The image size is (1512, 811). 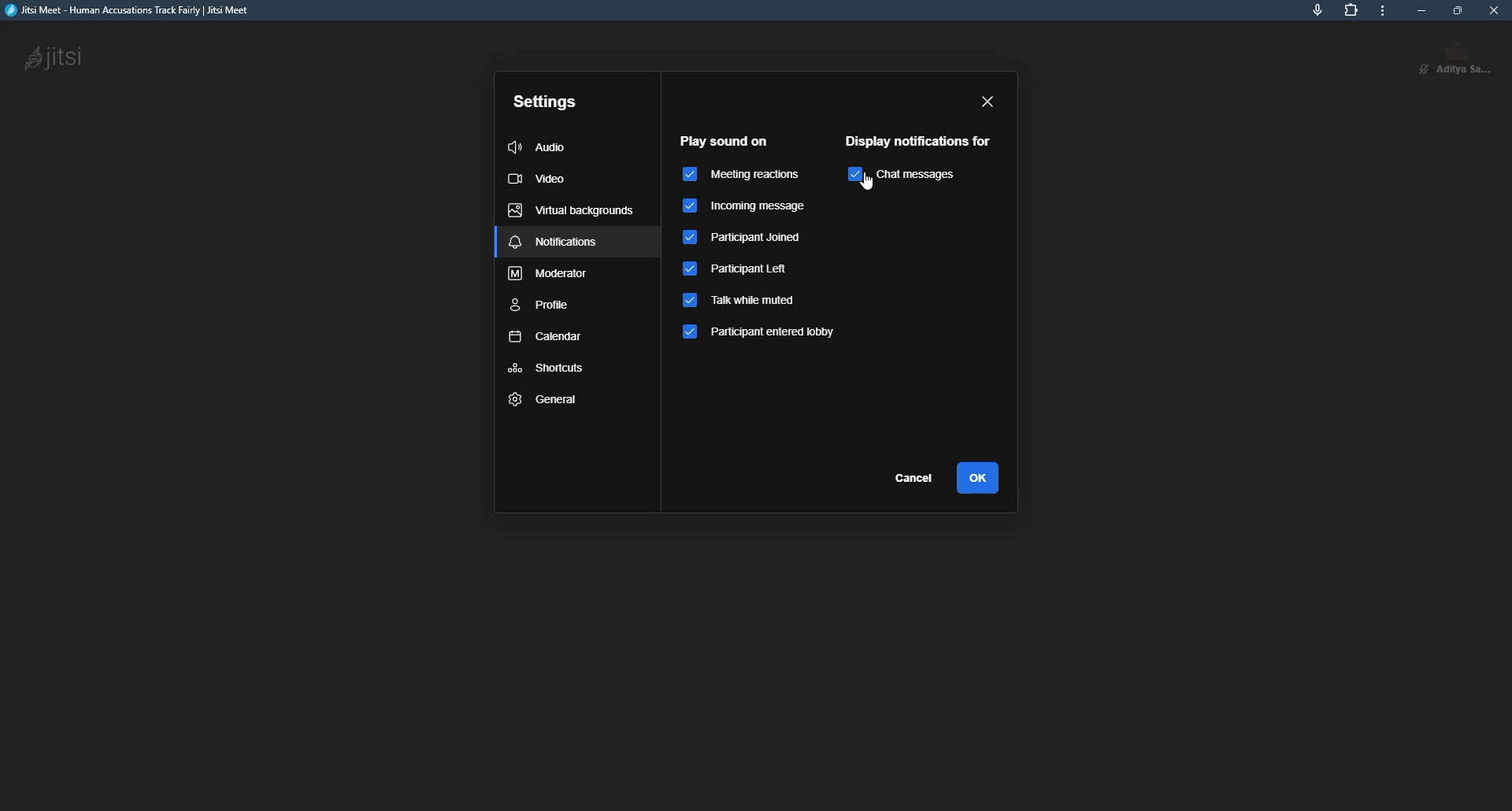 What do you see at coordinates (989, 102) in the screenshot?
I see `close` at bounding box center [989, 102].